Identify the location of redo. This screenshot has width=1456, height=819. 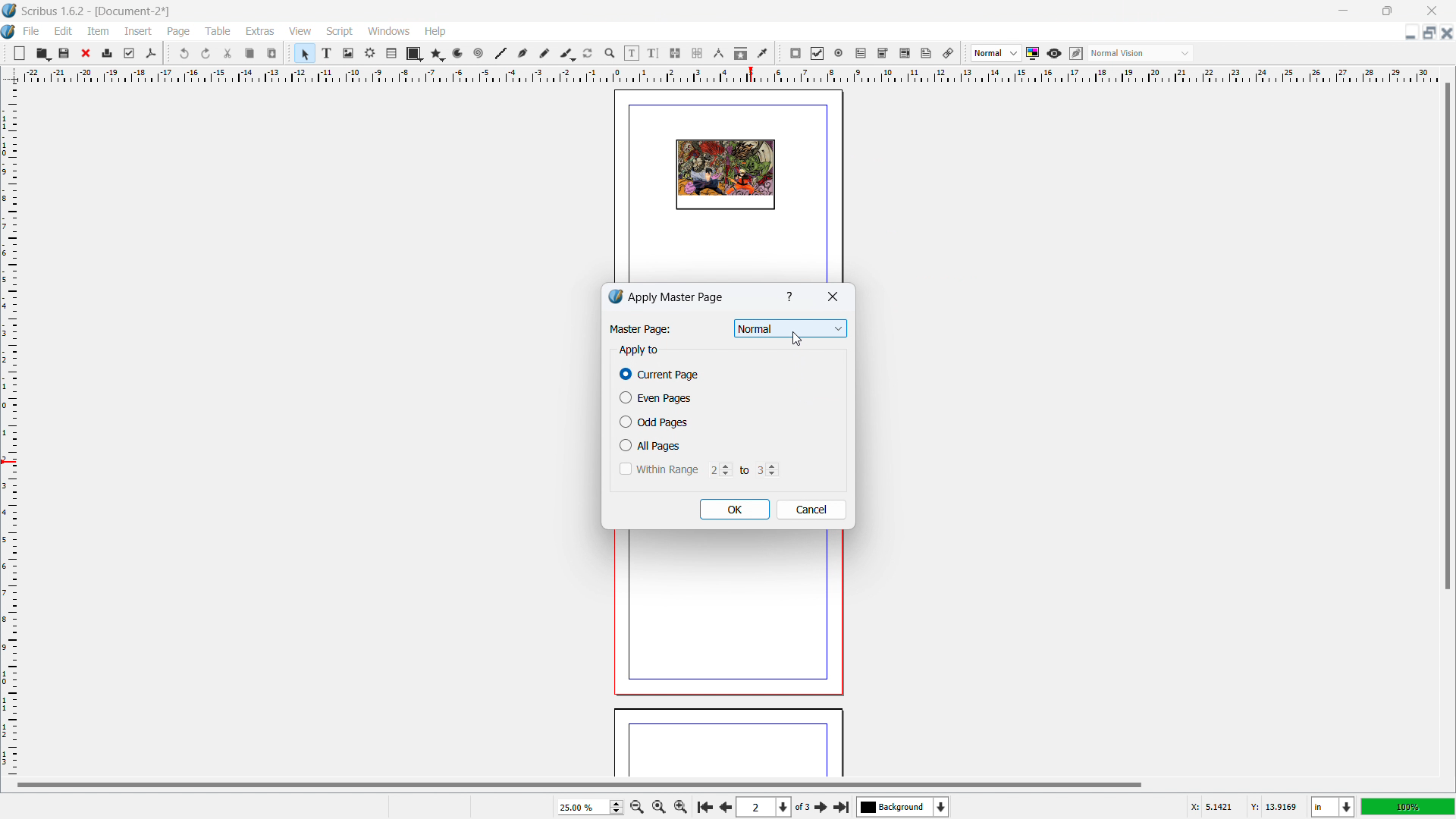
(206, 54).